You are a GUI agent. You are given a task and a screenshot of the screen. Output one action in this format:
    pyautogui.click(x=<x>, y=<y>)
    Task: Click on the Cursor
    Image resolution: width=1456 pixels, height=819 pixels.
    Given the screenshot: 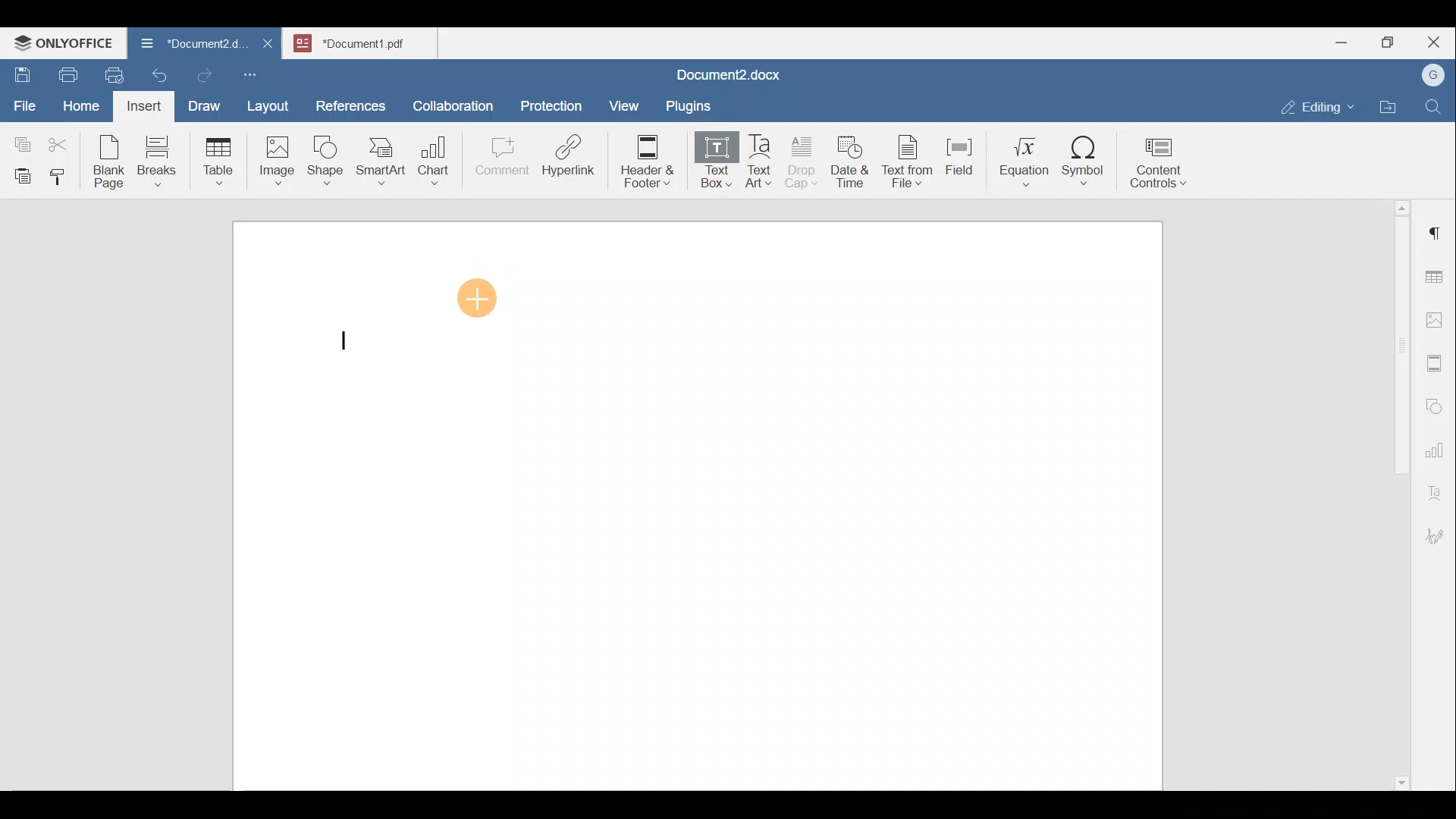 What is the action you would take?
    pyautogui.click(x=477, y=295)
    